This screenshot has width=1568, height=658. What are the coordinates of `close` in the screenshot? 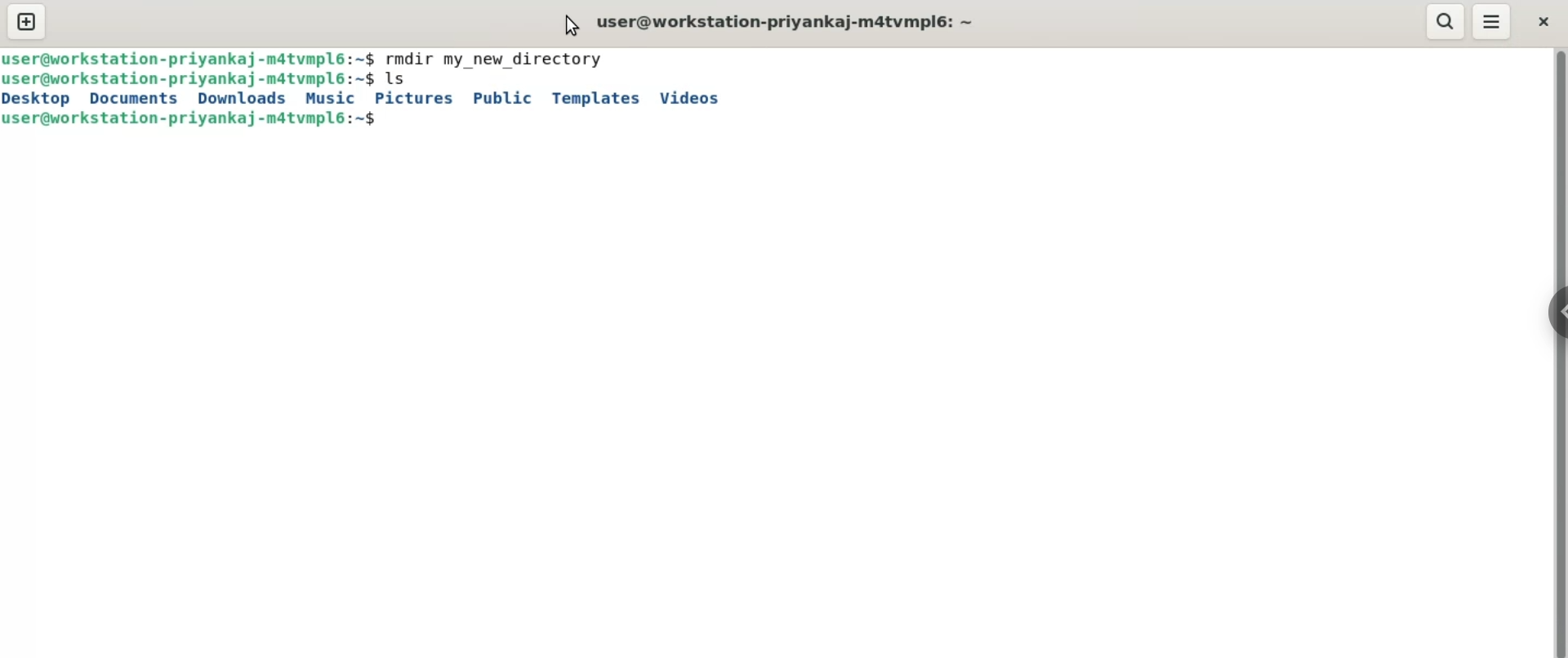 It's located at (1543, 22).